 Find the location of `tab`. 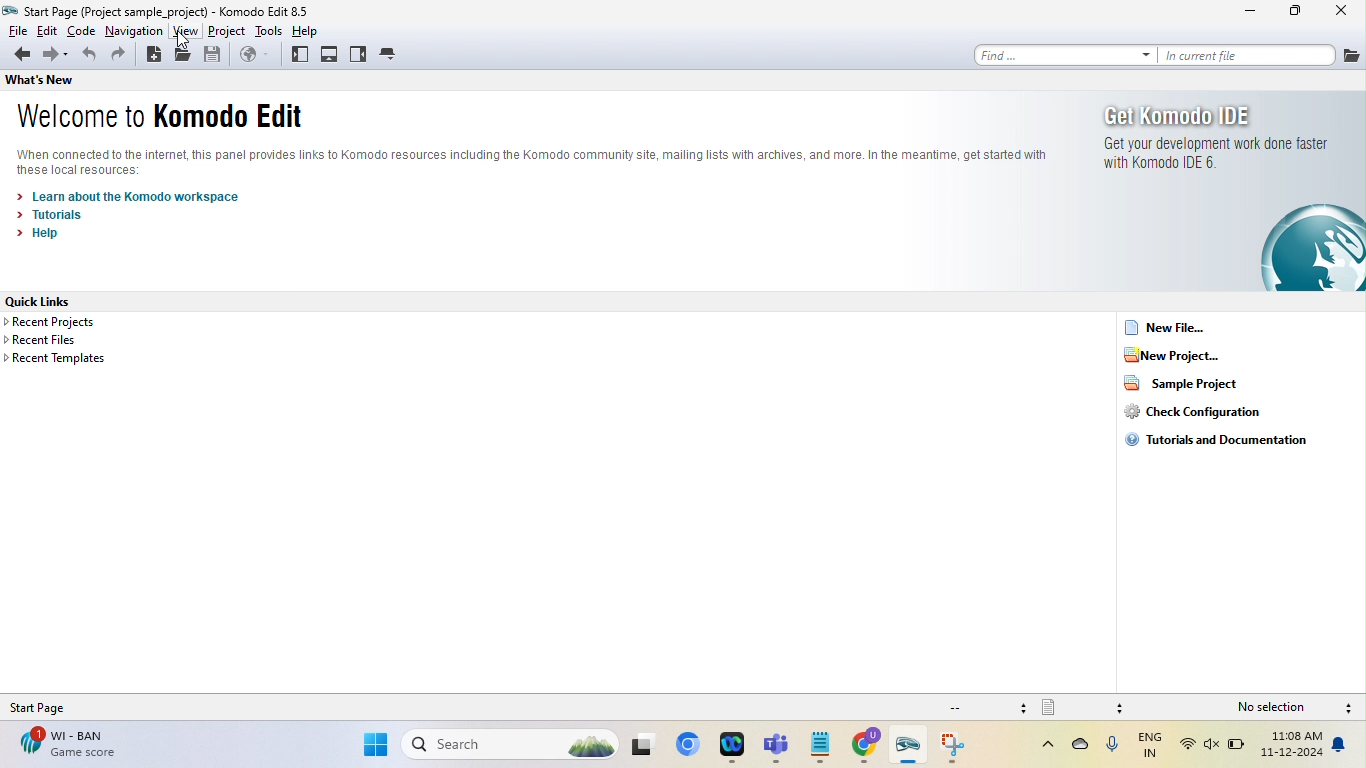

tab is located at coordinates (390, 54).